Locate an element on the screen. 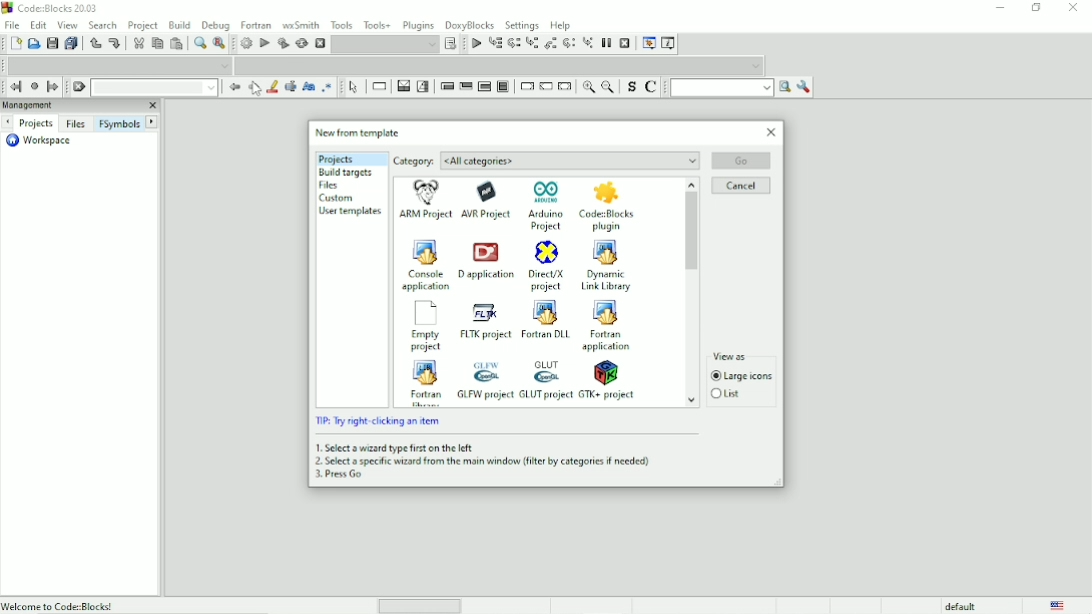 This screenshot has height=614, width=1092. Language is located at coordinates (1058, 605).